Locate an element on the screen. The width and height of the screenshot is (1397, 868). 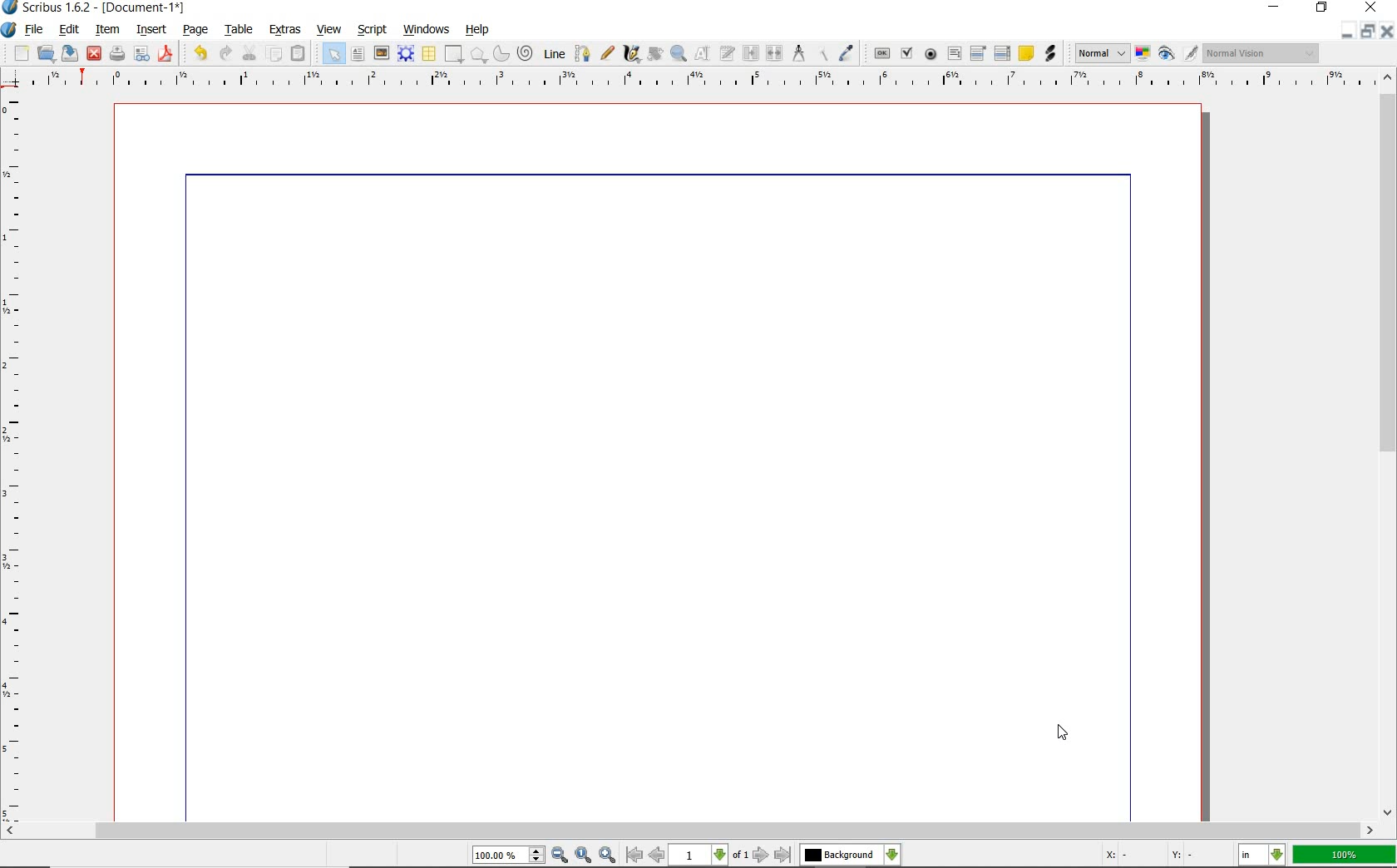
copy item properties is located at coordinates (821, 54).